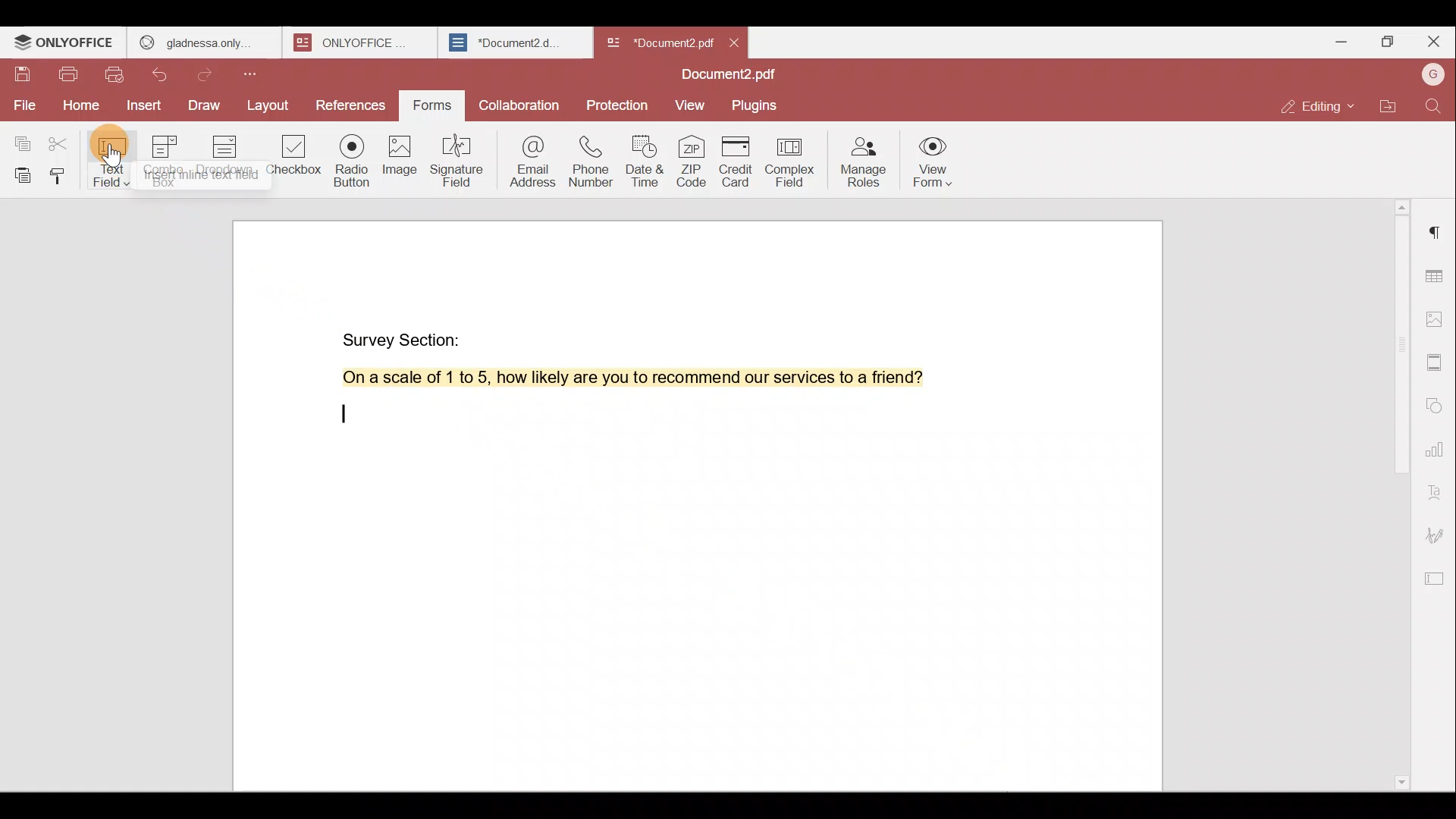 The height and width of the screenshot is (819, 1456). Describe the element at coordinates (1398, 491) in the screenshot. I see `Scroll bar` at that location.